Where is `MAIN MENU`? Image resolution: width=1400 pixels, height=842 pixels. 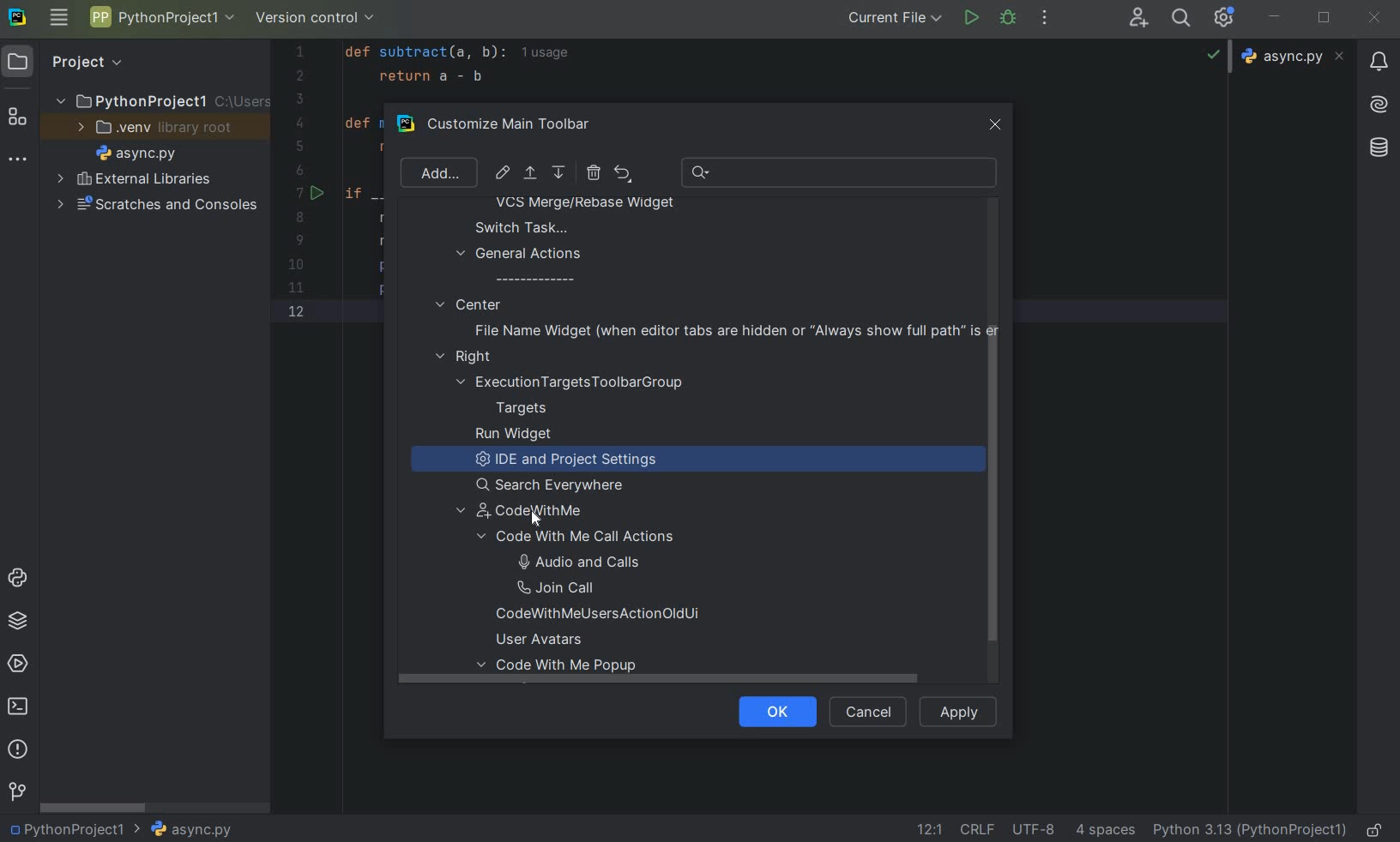
MAIN MENU is located at coordinates (57, 19).